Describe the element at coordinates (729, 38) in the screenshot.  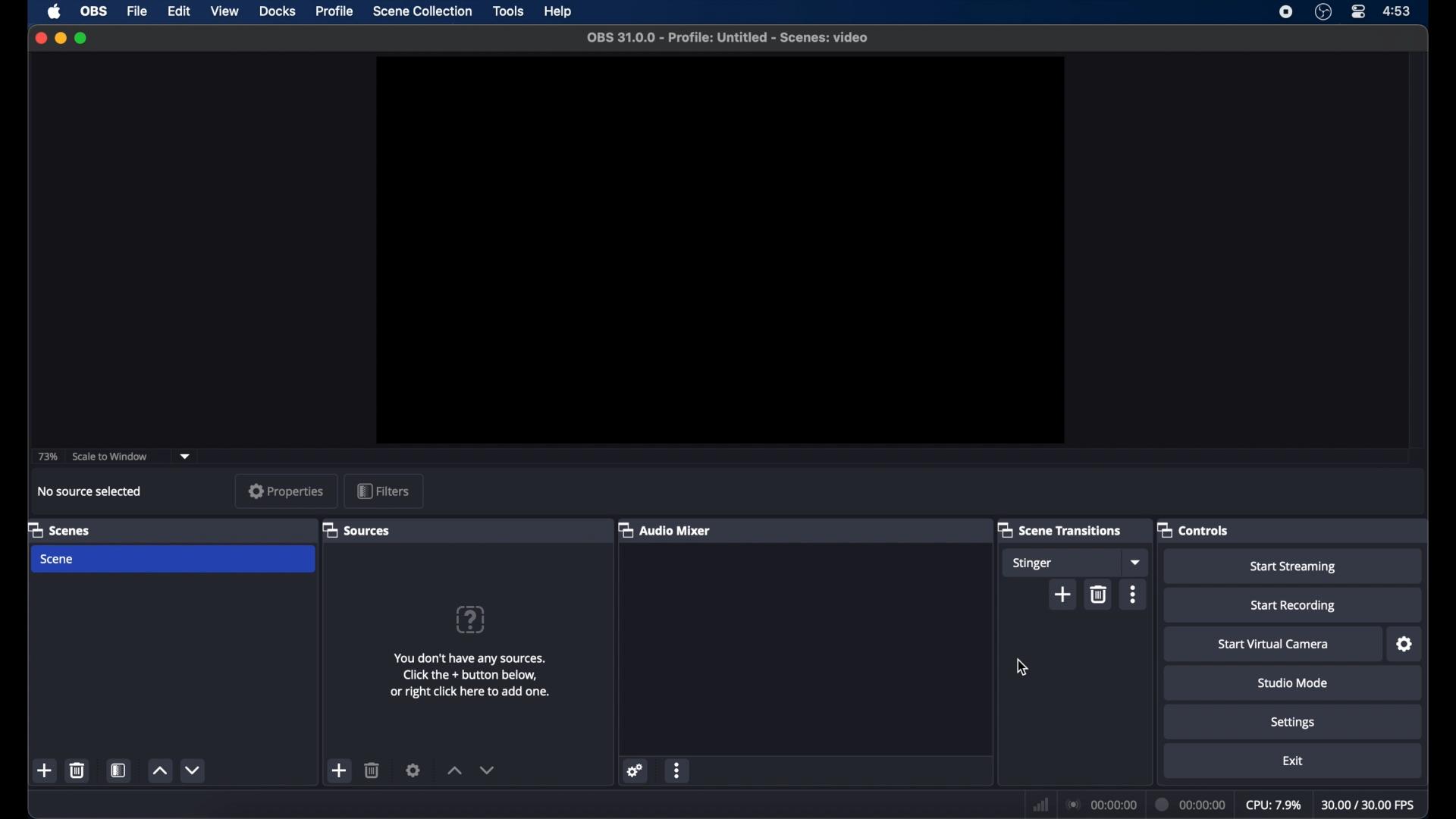
I see `file name` at that location.